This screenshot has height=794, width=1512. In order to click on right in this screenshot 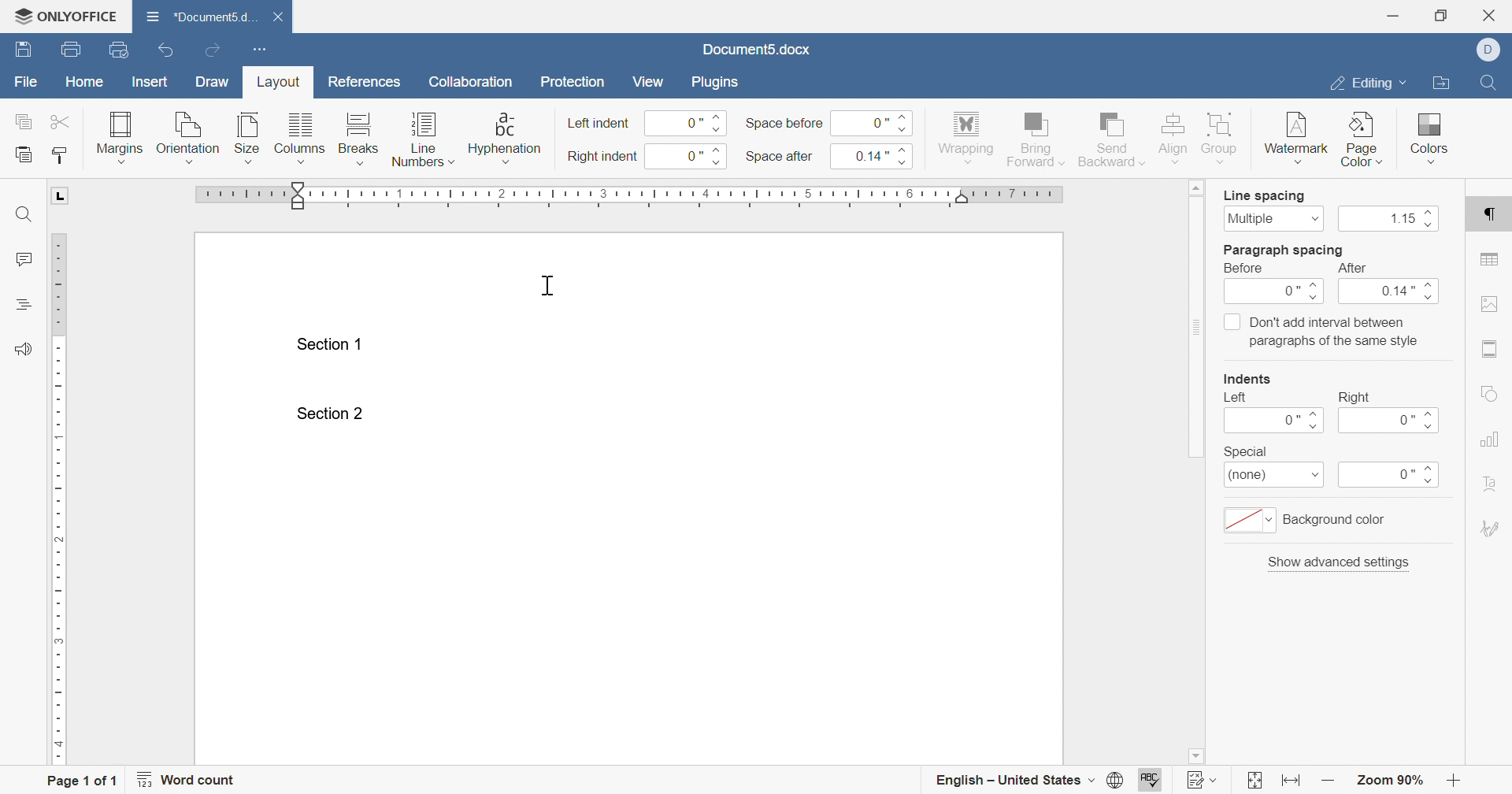, I will do `click(1354, 397)`.